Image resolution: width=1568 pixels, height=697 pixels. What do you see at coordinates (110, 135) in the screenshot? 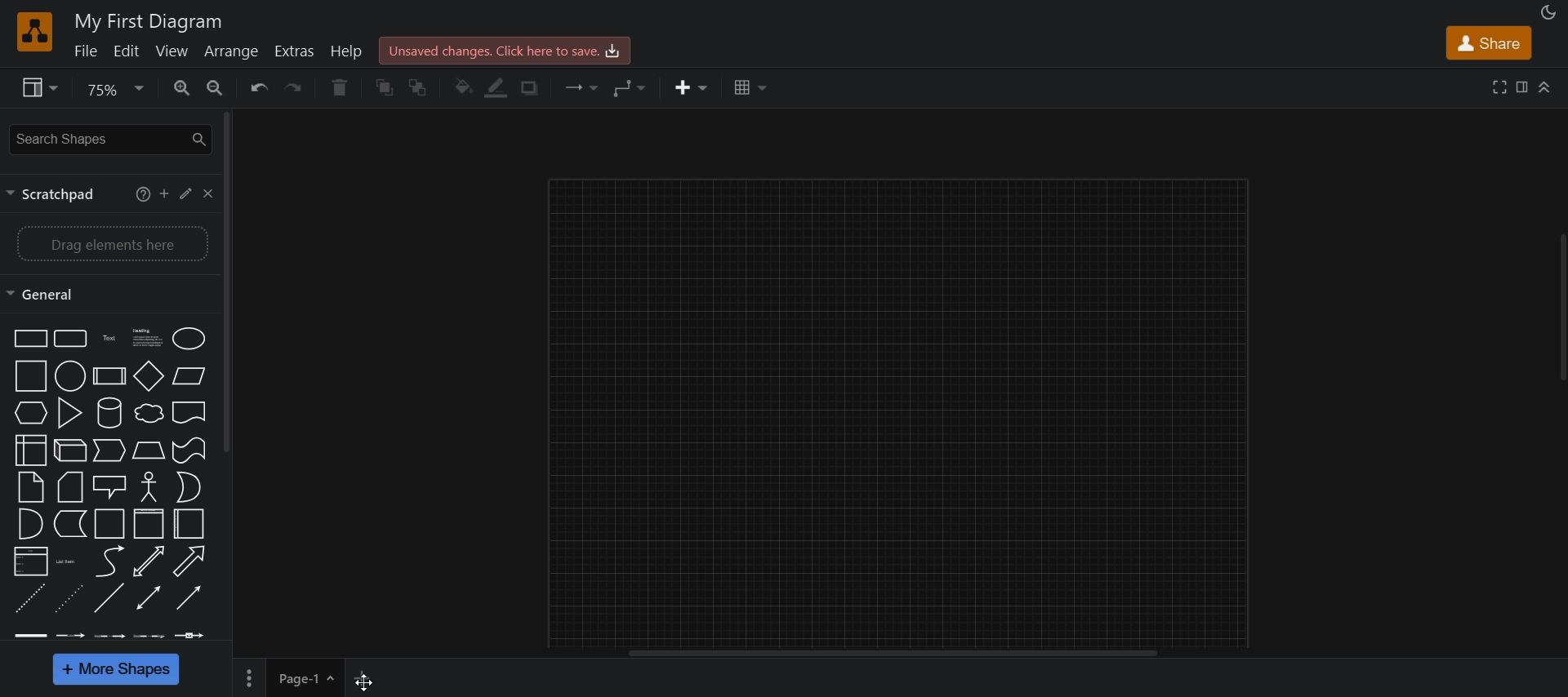
I see `search shapes` at bounding box center [110, 135].